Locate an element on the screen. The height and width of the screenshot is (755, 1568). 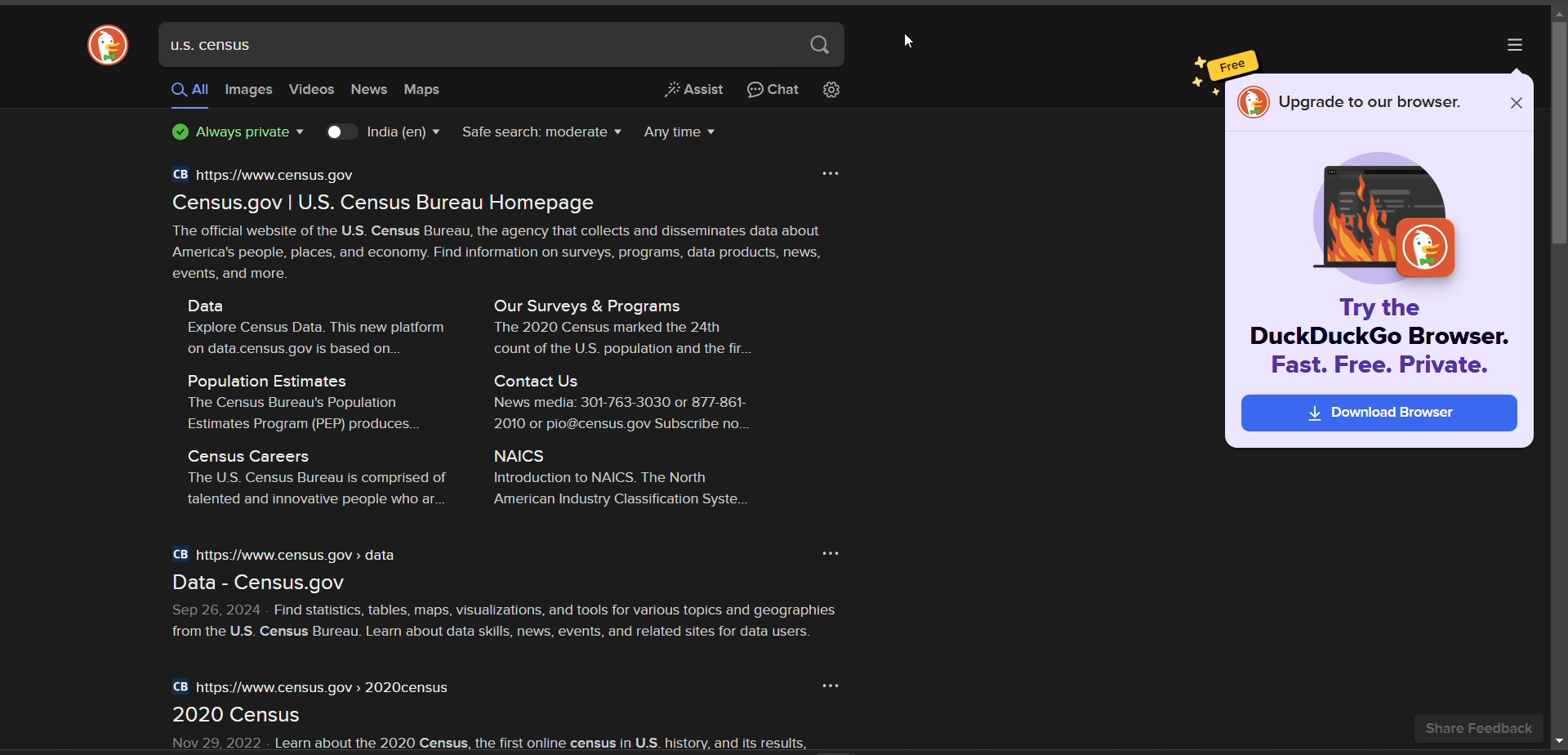
safe search options is located at coordinates (545, 131).